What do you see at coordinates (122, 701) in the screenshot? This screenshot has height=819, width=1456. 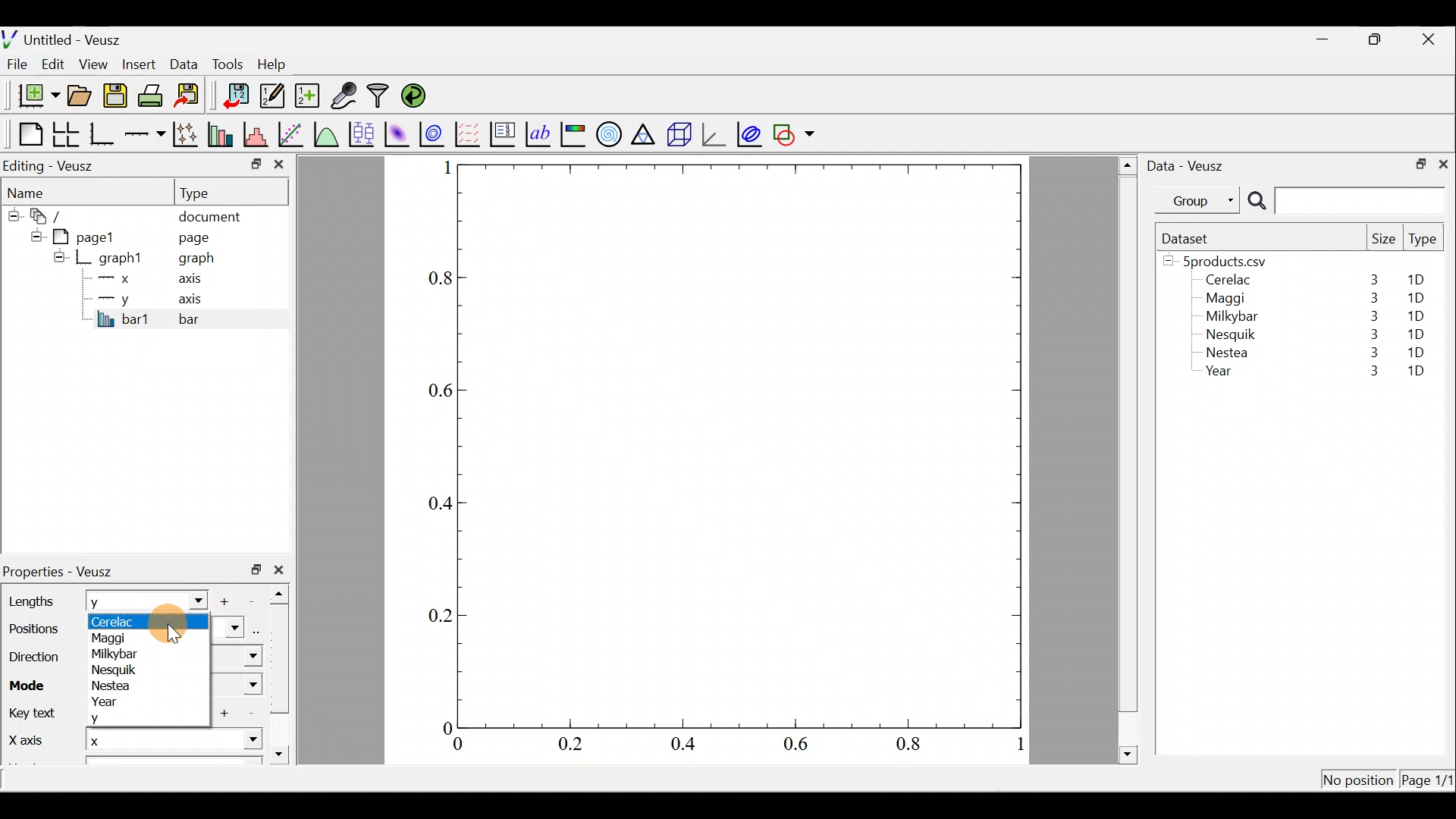 I see `Year` at bounding box center [122, 701].